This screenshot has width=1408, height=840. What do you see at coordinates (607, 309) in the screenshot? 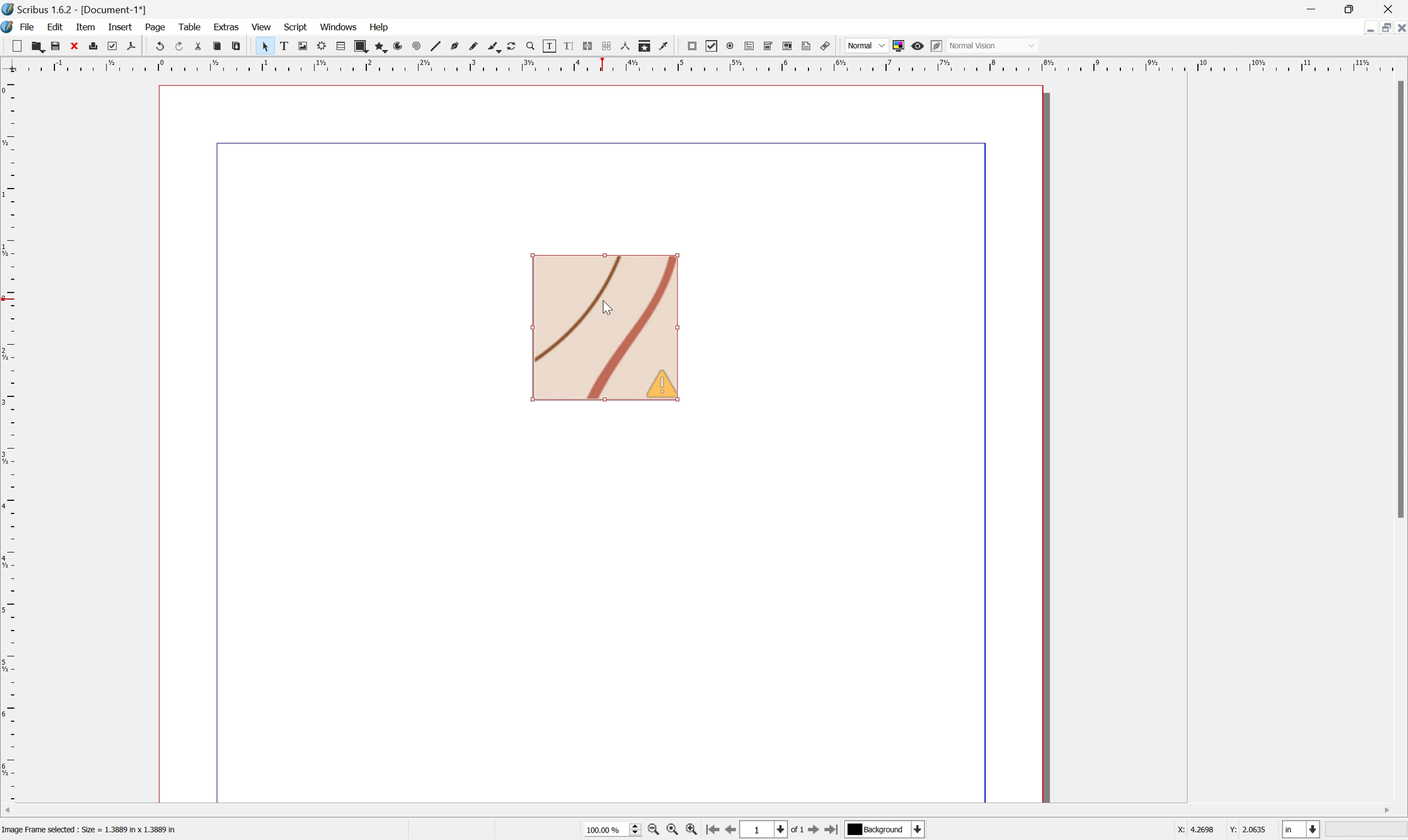
I see `Cursor` at bounding box center [607, 309].